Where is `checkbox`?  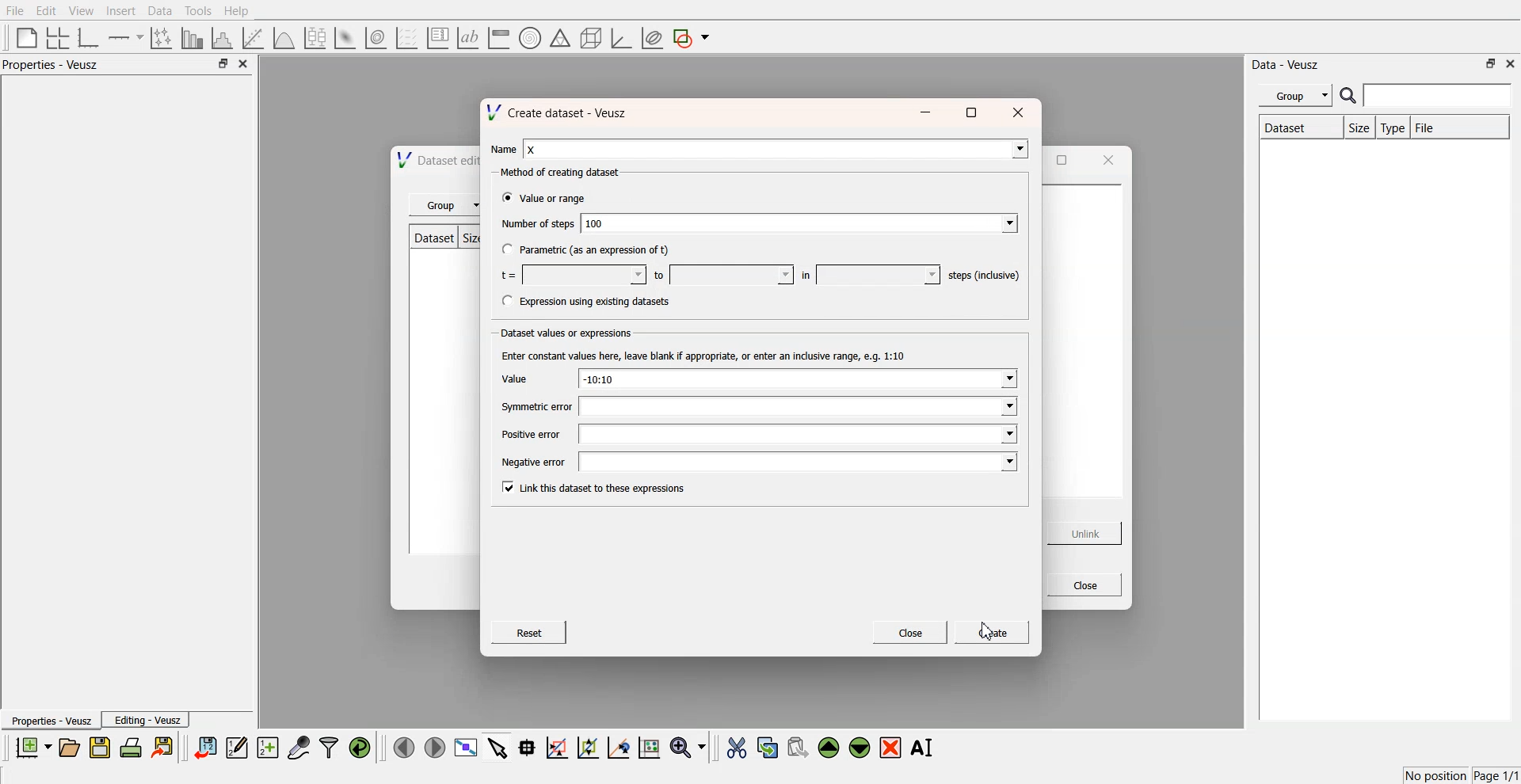
checkbox is located at coordinates (505, 200).